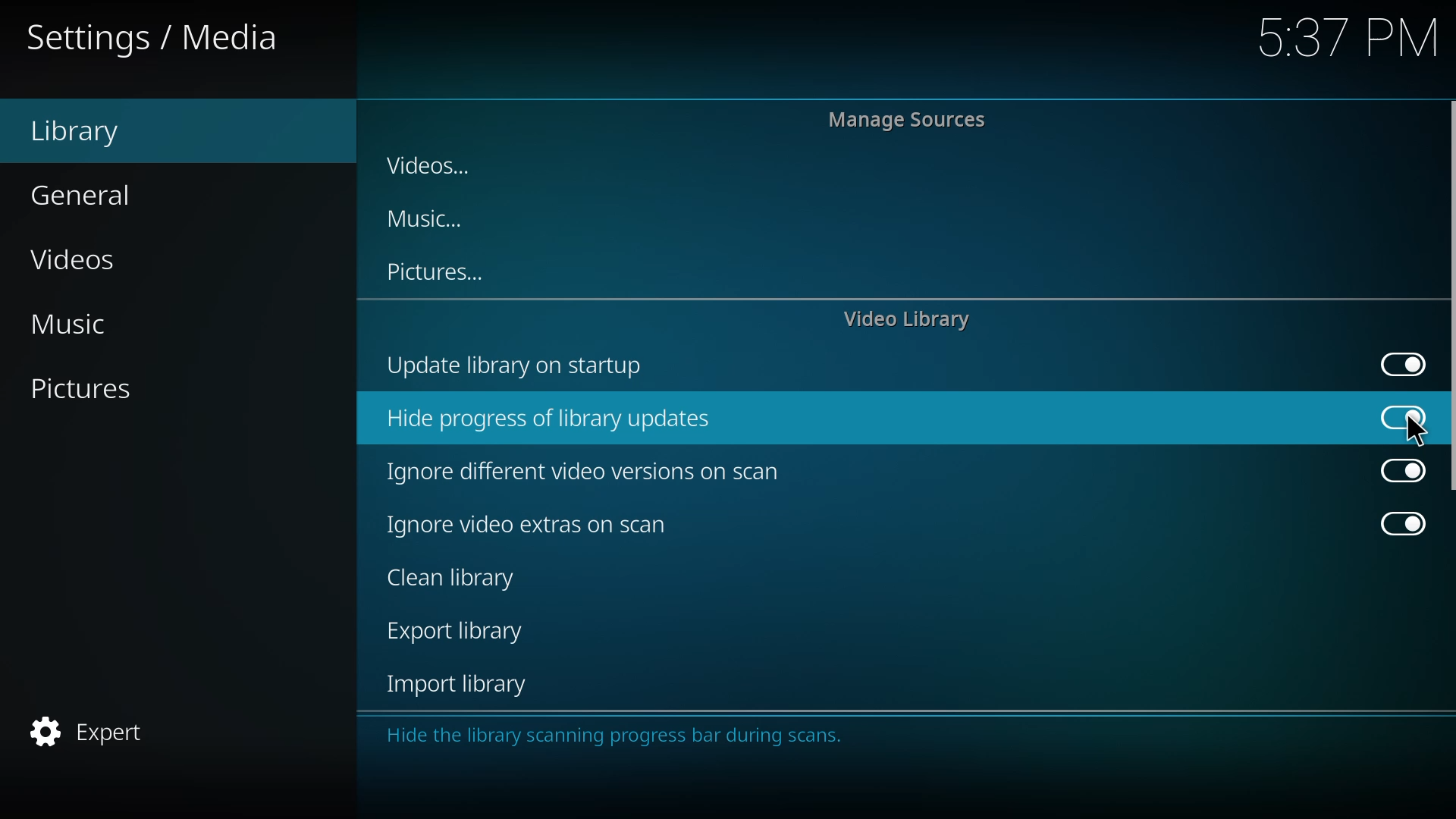 The width and height of the screenshot is (1456, 819). I want to click on ignore video extras on scan, so click(519, 523).